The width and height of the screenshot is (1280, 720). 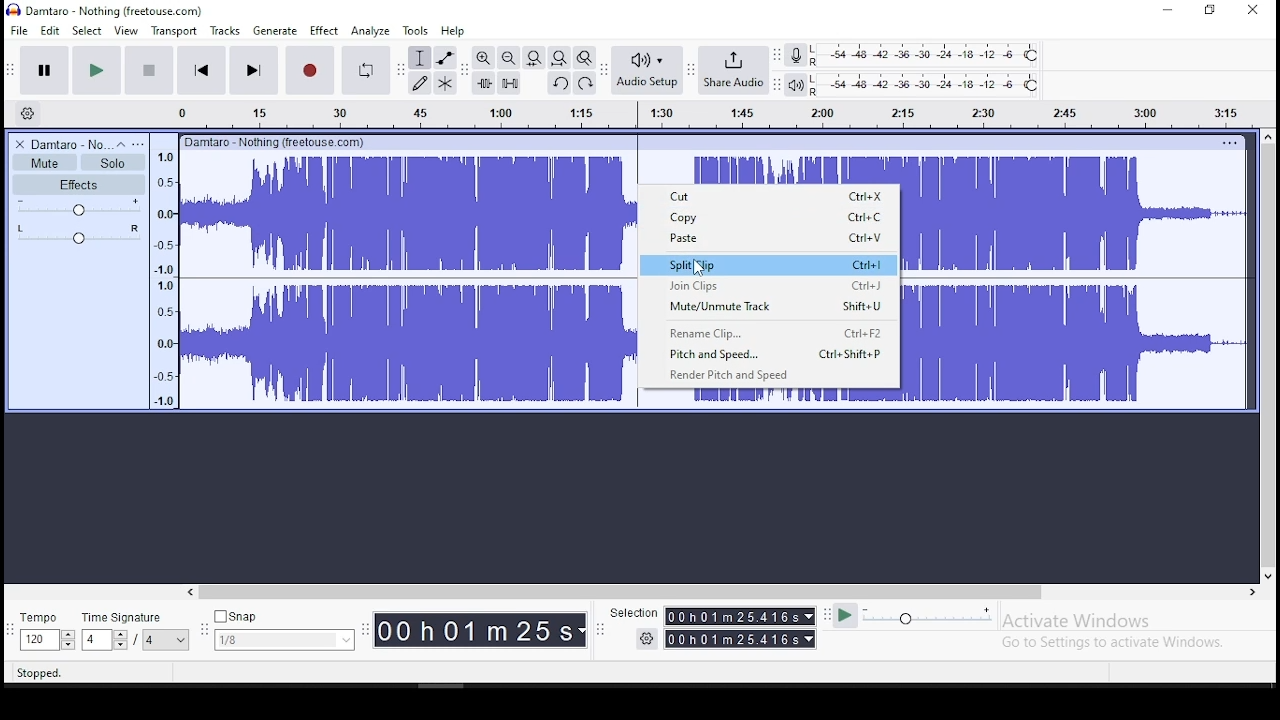 What do you see at coordinates (372, 32) in the screenshot?
I see `analyze` at bounding box center [372, 32].